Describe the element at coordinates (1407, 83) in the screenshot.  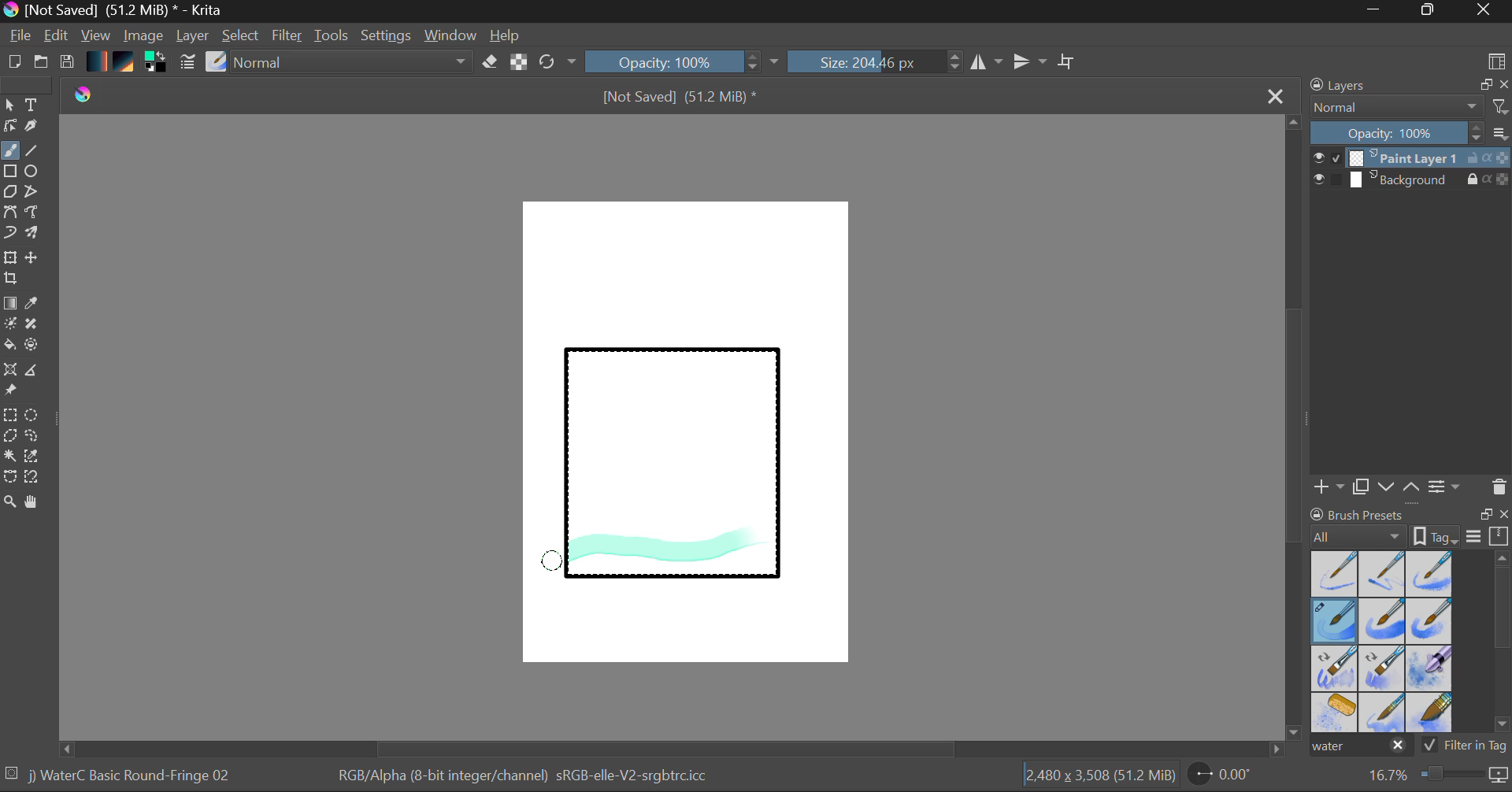
I see `Layers Docket Tab` at that location.